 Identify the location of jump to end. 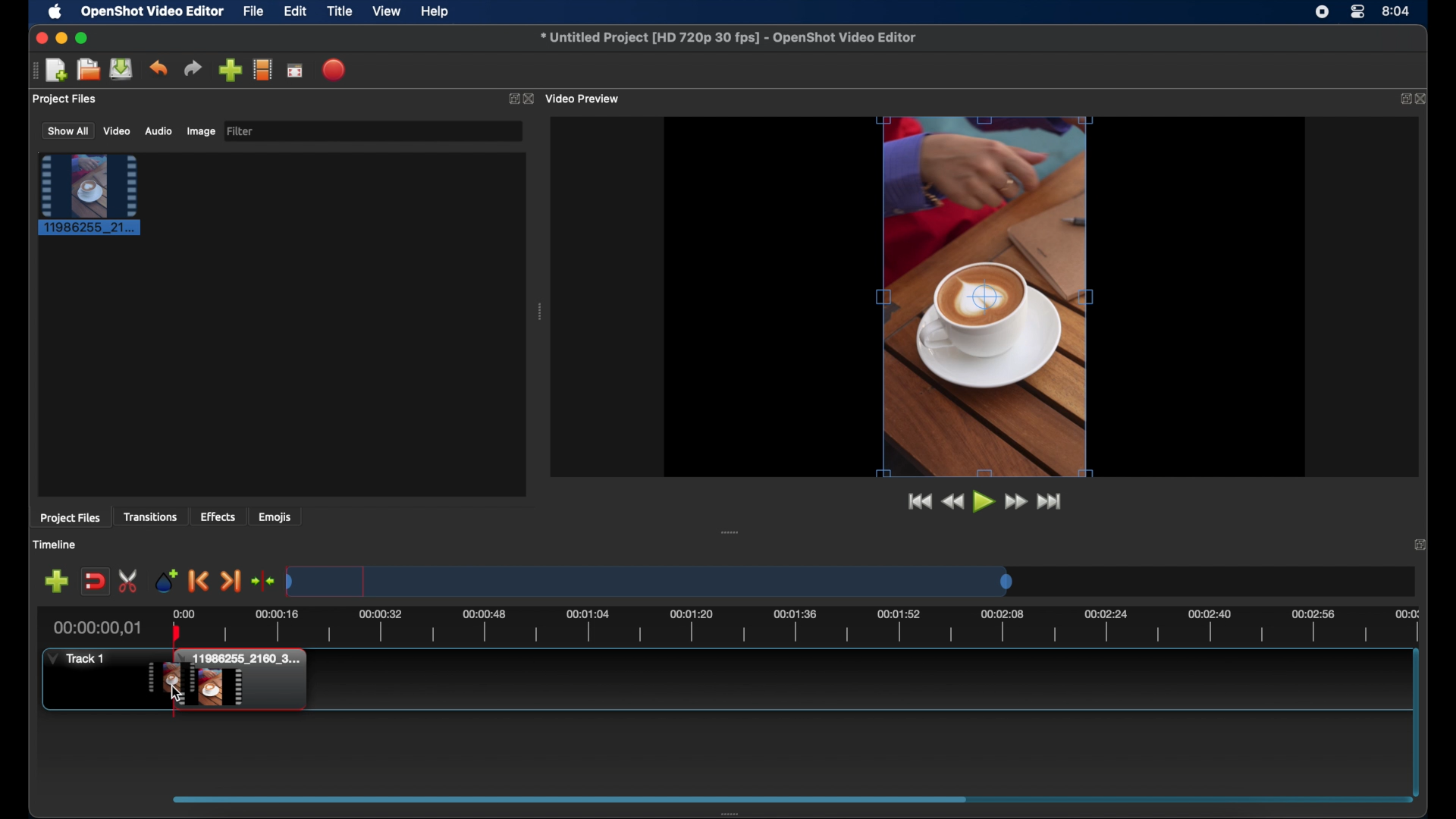
(1049, 502).